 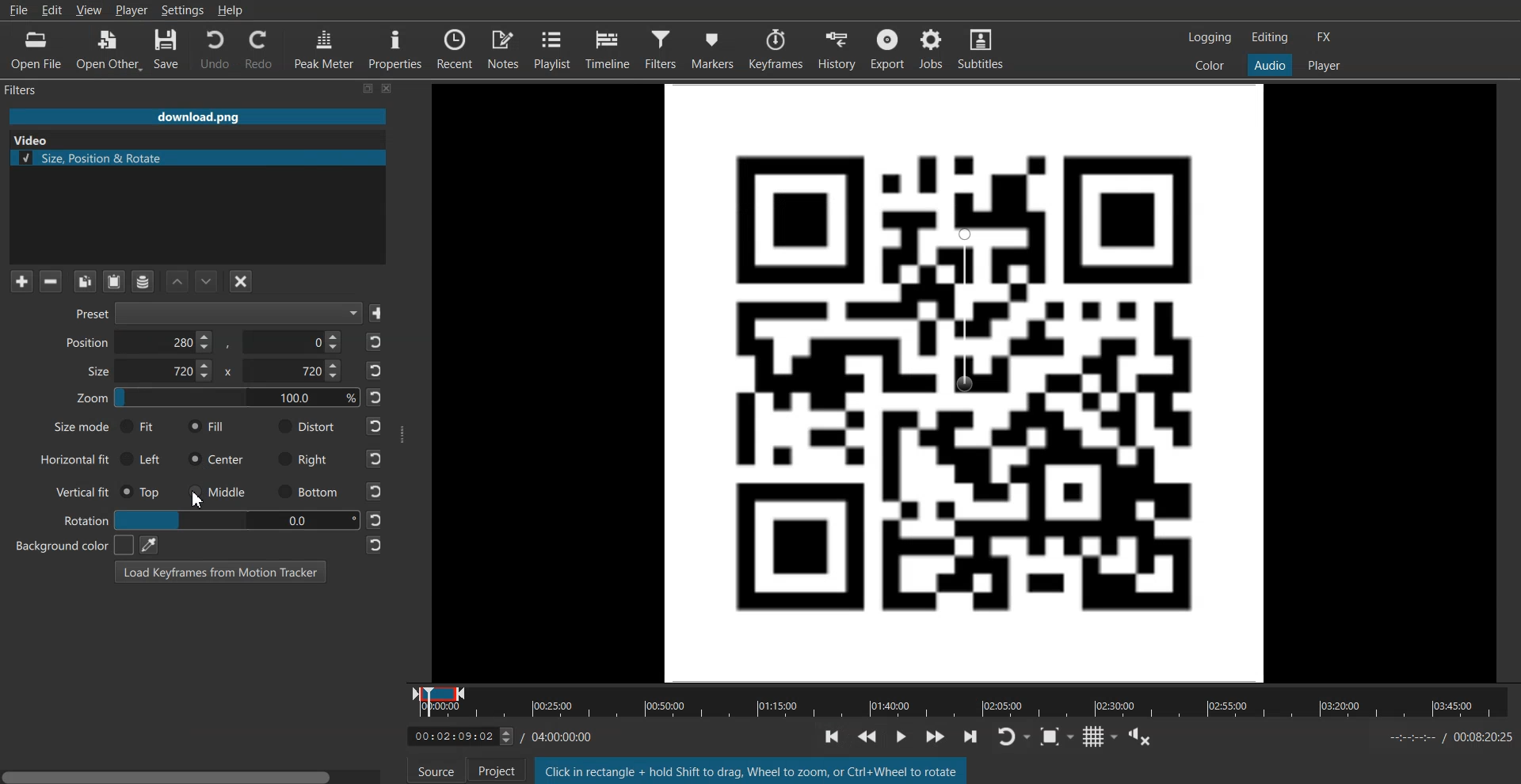 What do you see at coordinates (197, 158) in the screenshot?
I see `Size, Position & Rotate` at bounding box center [197, 158].